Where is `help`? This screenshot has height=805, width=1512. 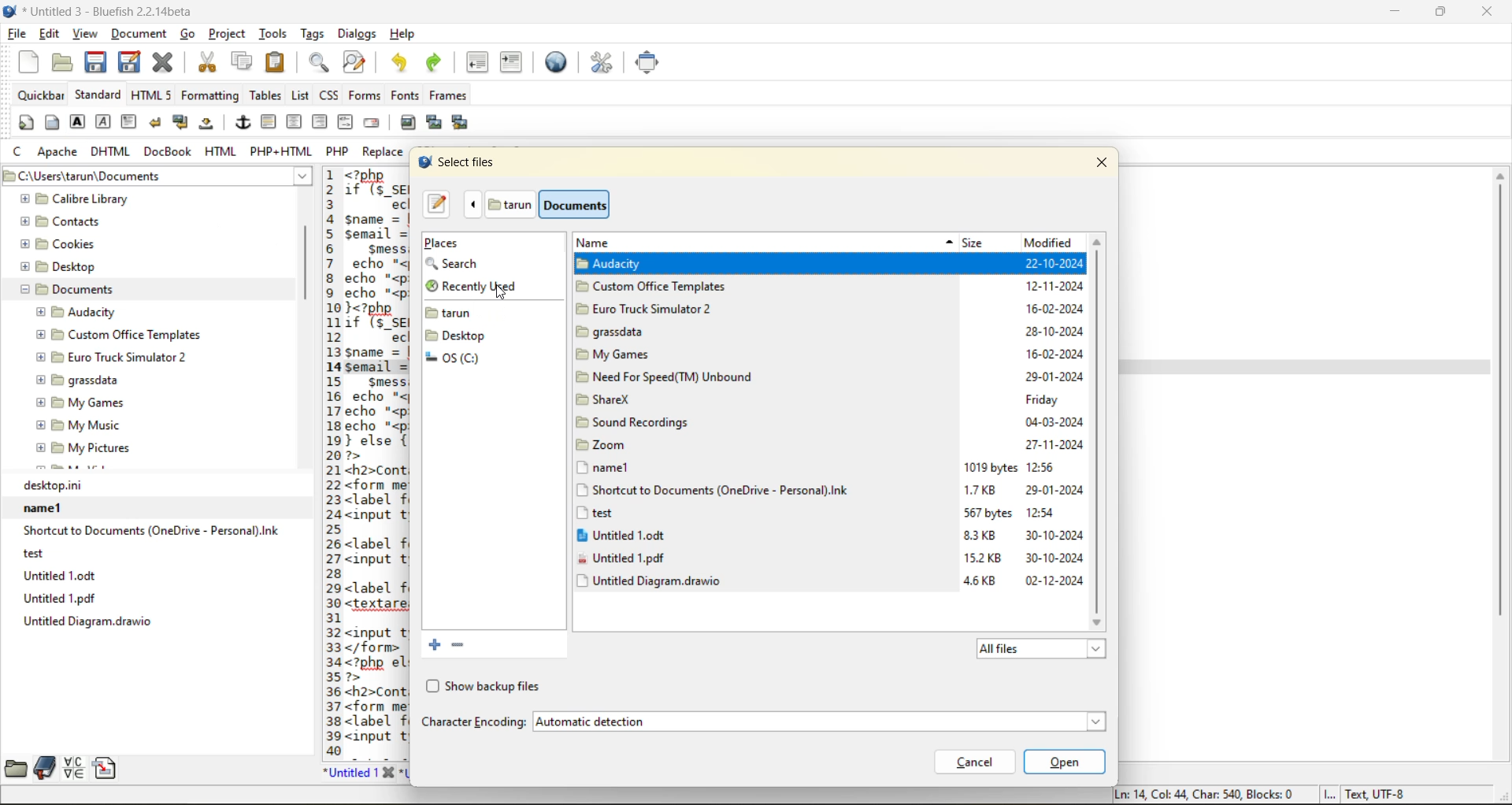 help is located at coordinates (402, 34).